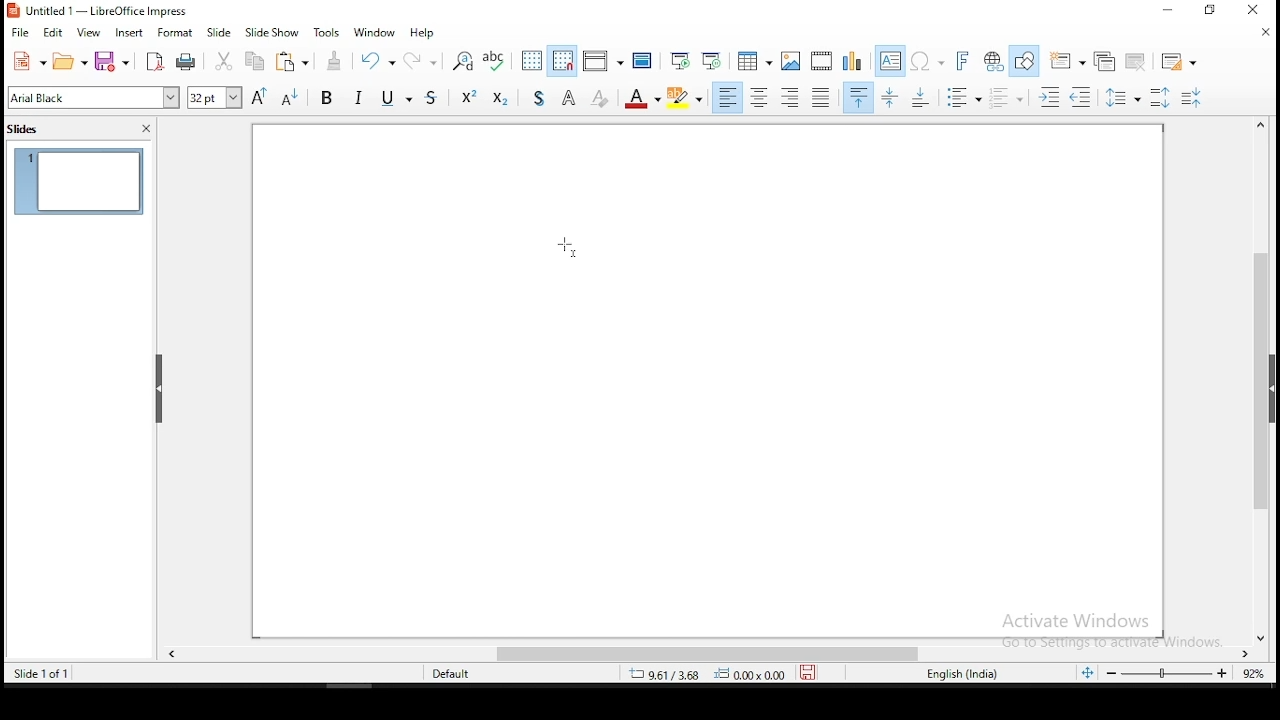 The height and width of the screenshot is (720, 1280). What do you see at coordinates (563, 59) in the screenshot?
I see `snap to grid` at bounding box center [563, 59].